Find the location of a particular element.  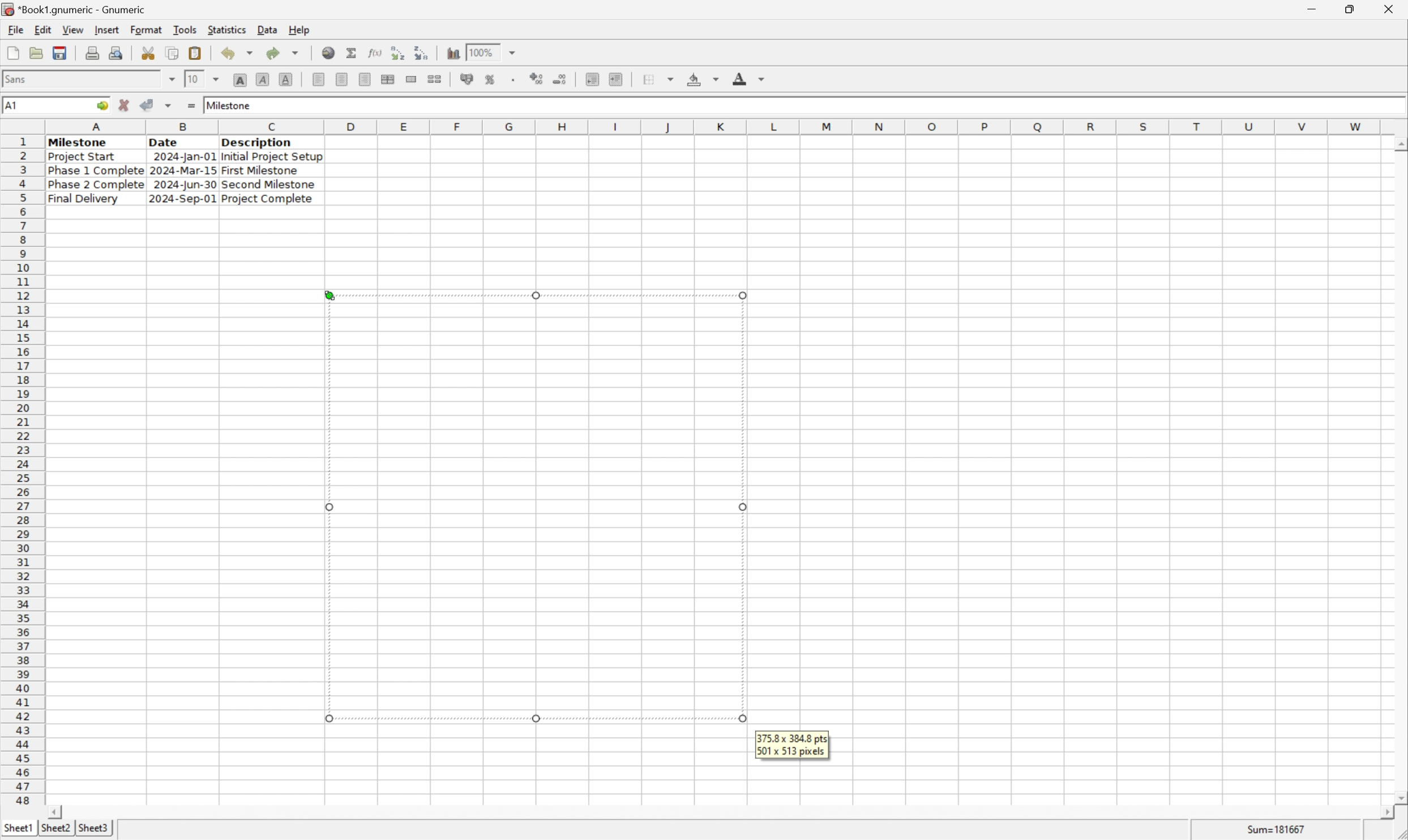

Sum=181667 is located at coordinates (1278, 828).